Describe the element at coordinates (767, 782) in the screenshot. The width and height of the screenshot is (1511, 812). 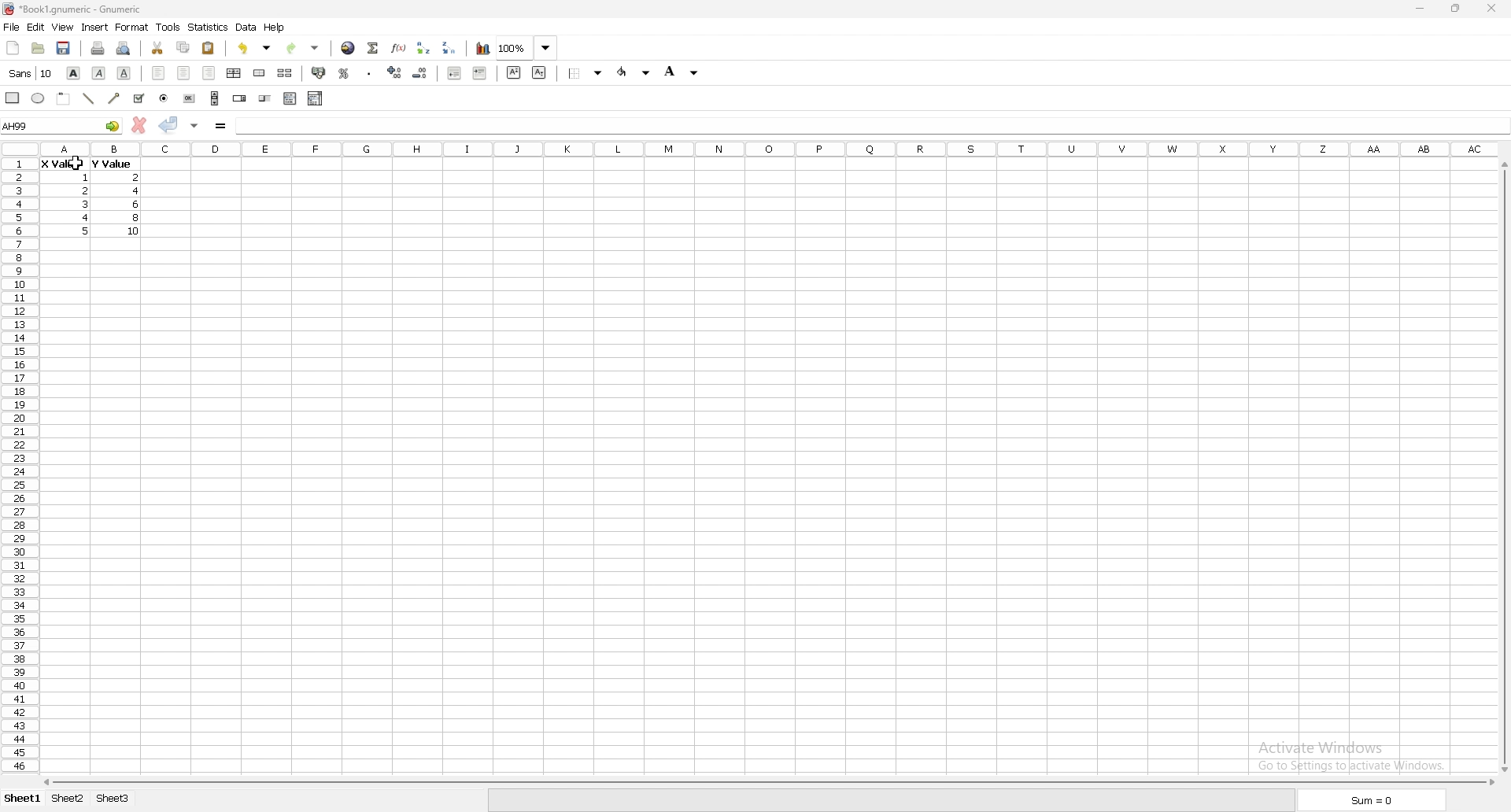
I see `scroll bar` at that location.